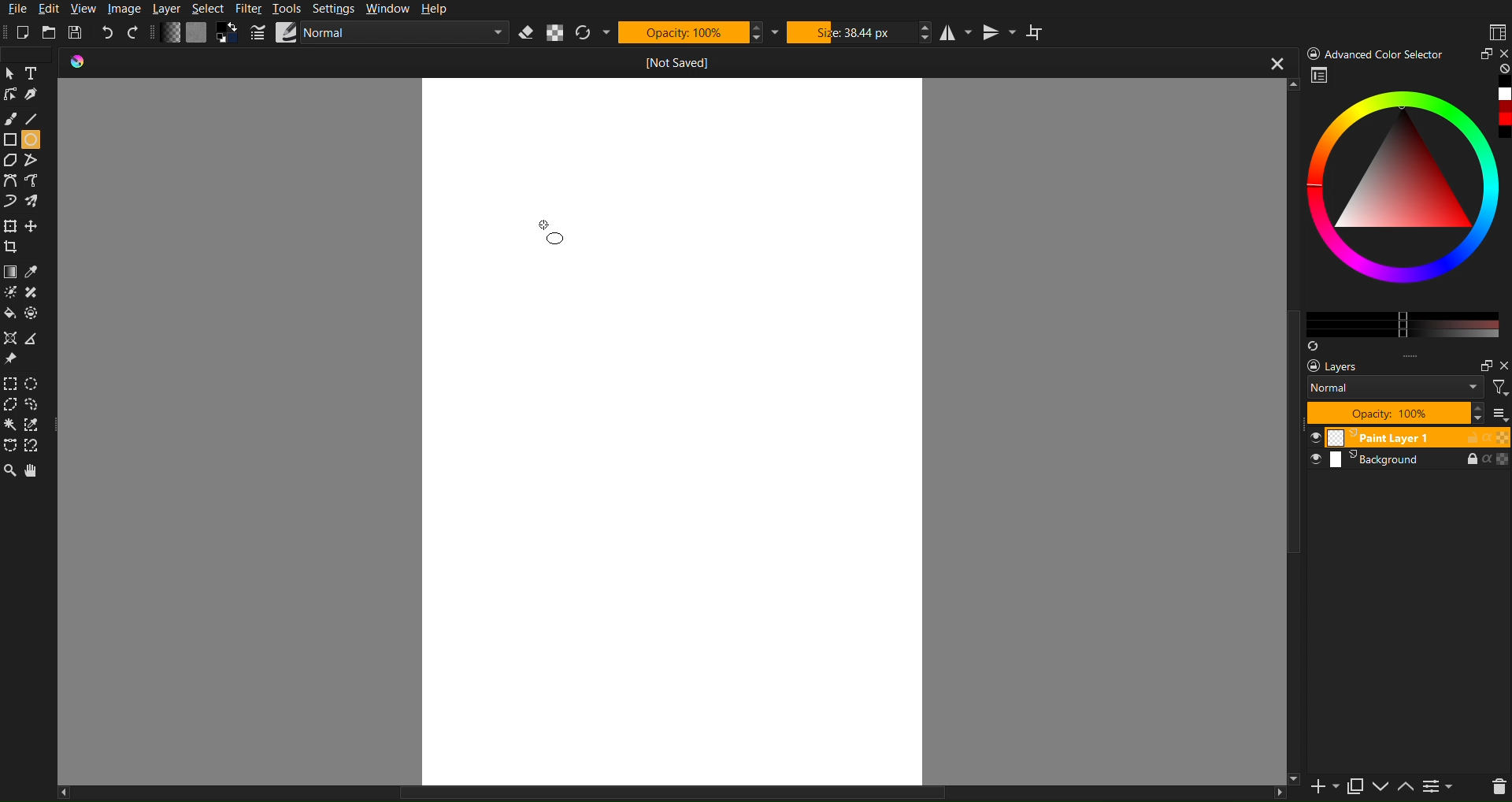 Image resolution: width=1512 pixels, height=802 pixels. What do you see at coordinates (10, 425) in the screenshot?
I see `Wind` at bounding box center [10, 425].